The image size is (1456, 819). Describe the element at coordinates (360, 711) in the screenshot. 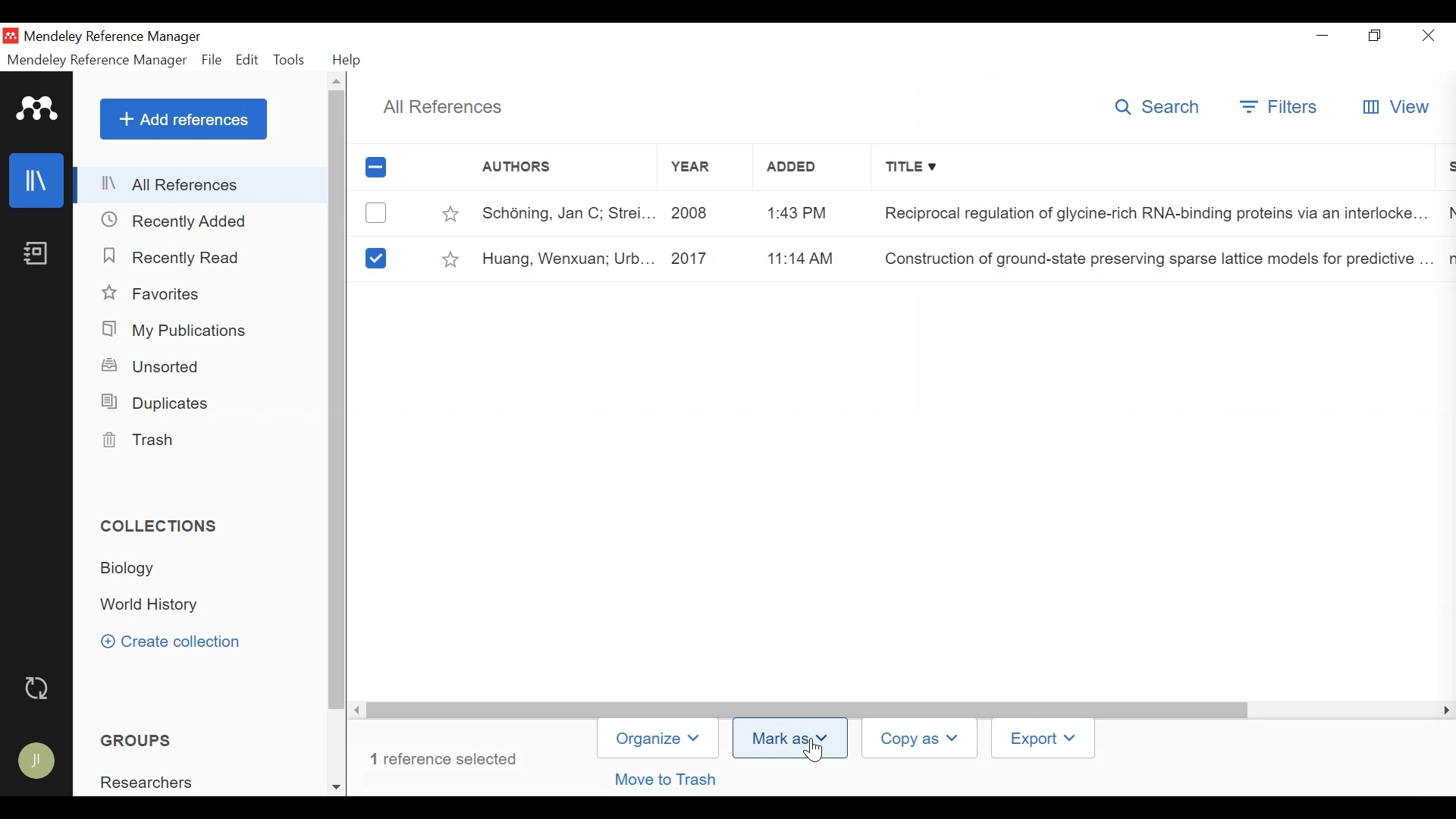

I see `Scroll left` at that location.